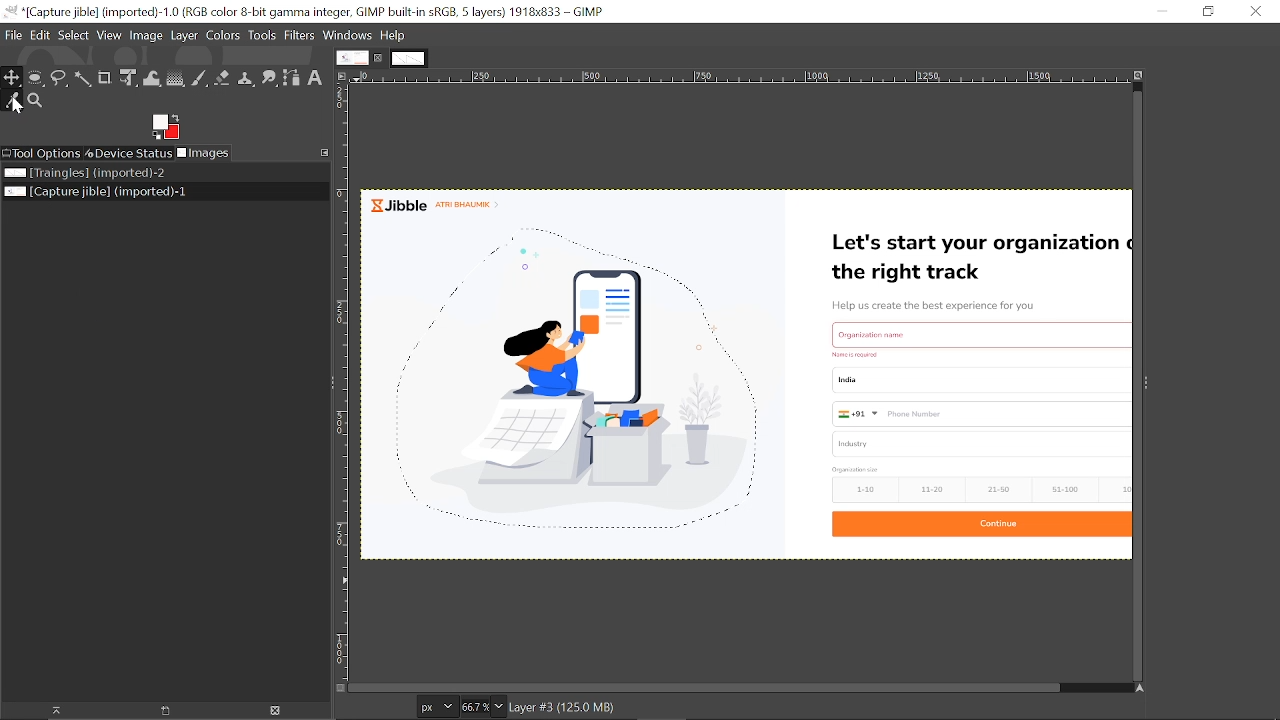 The width and height of the screenshot is (1280, 720). Describe the element at coordinates (105, 77) in the screenshot. I see `Crop tool` at that location.